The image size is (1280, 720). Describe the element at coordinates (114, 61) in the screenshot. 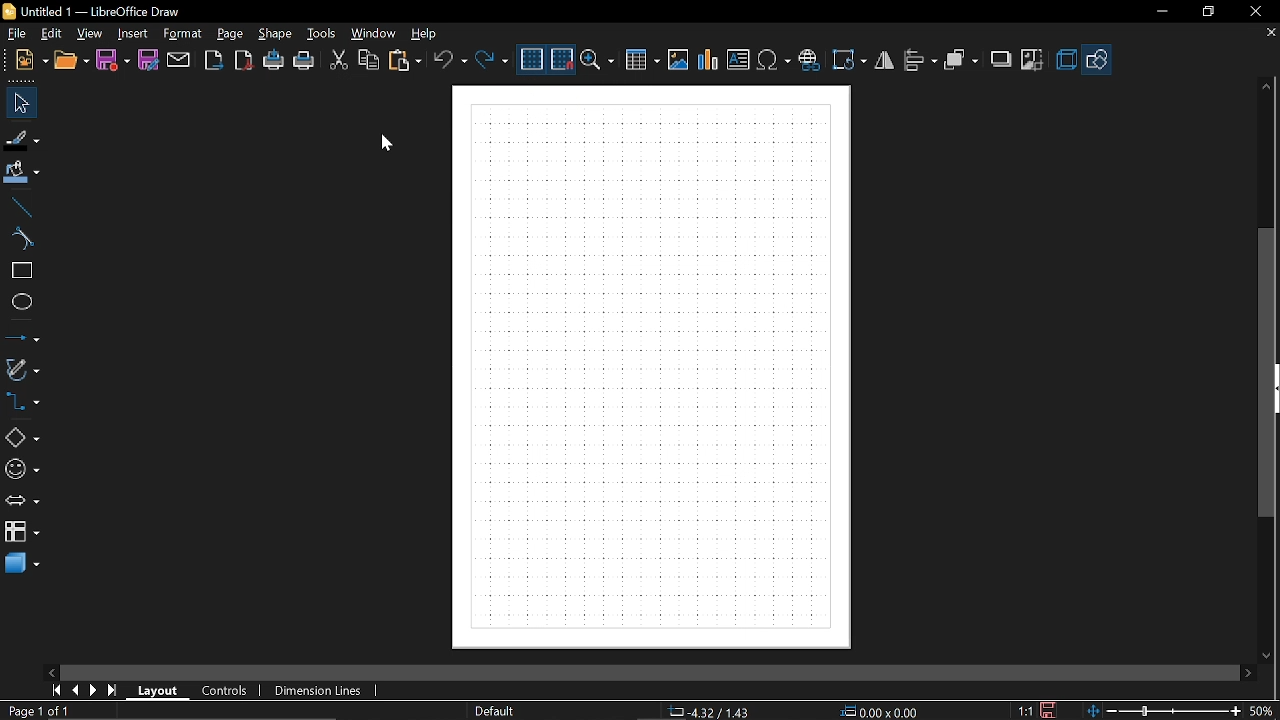

I see `save` at that location.